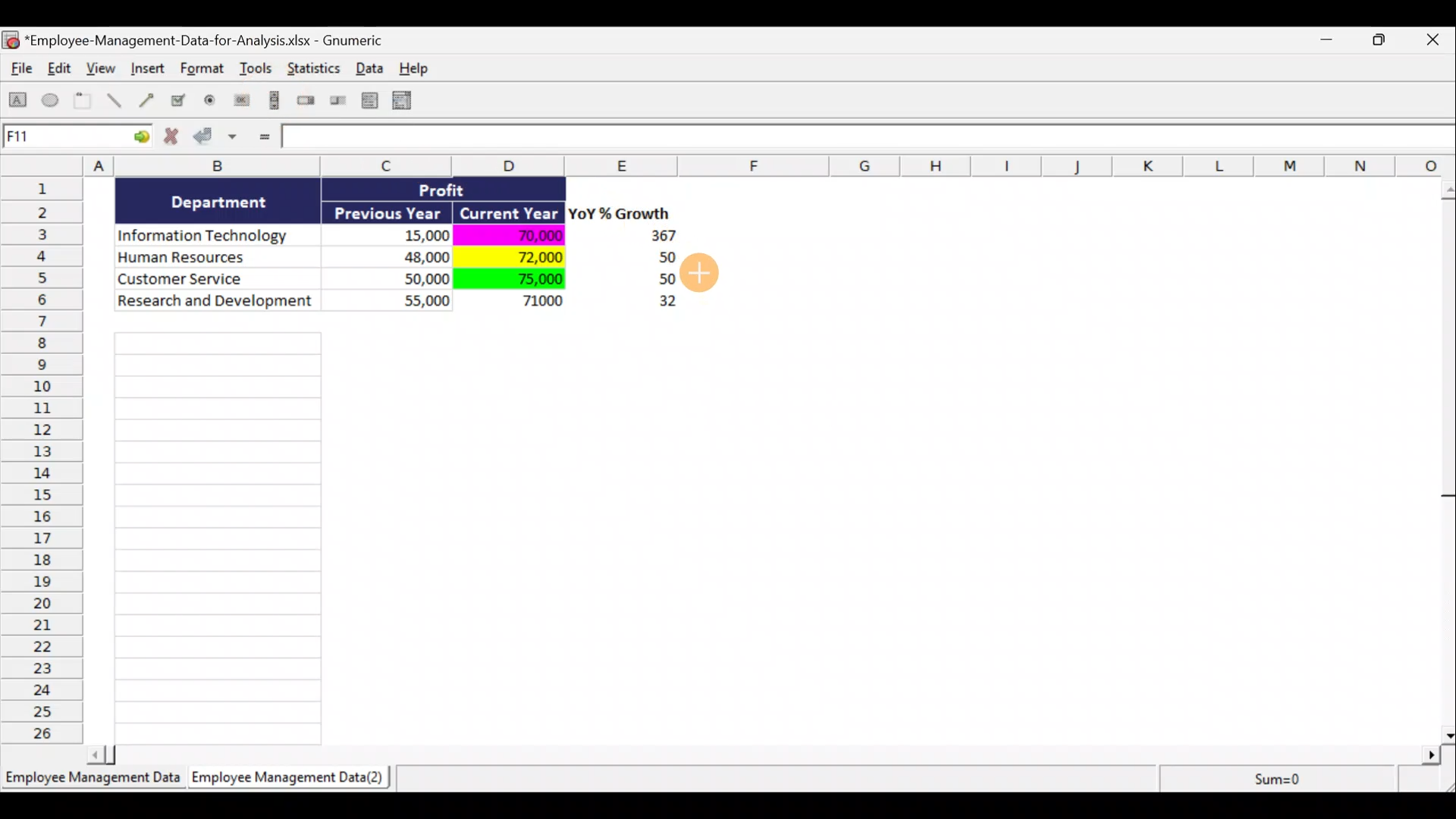 This screenshot has height=819, width=1456. What do you see at coordinates (292, 781) in the screenshot?
I see `Sheet 2` at bounding box center [292, 781].